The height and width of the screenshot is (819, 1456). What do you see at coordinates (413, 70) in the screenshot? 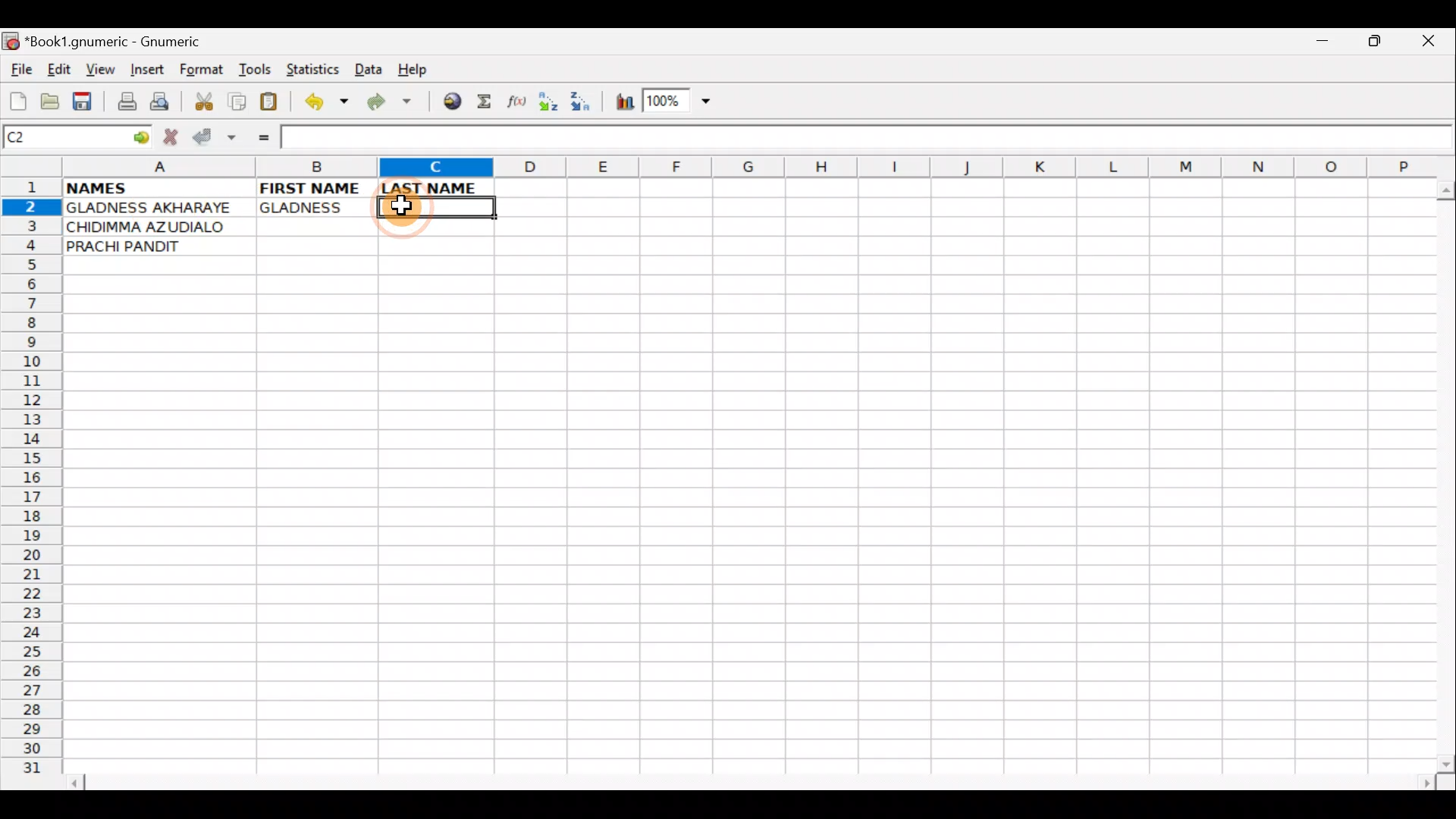
I see `Help` at bounding box center [413, 70].